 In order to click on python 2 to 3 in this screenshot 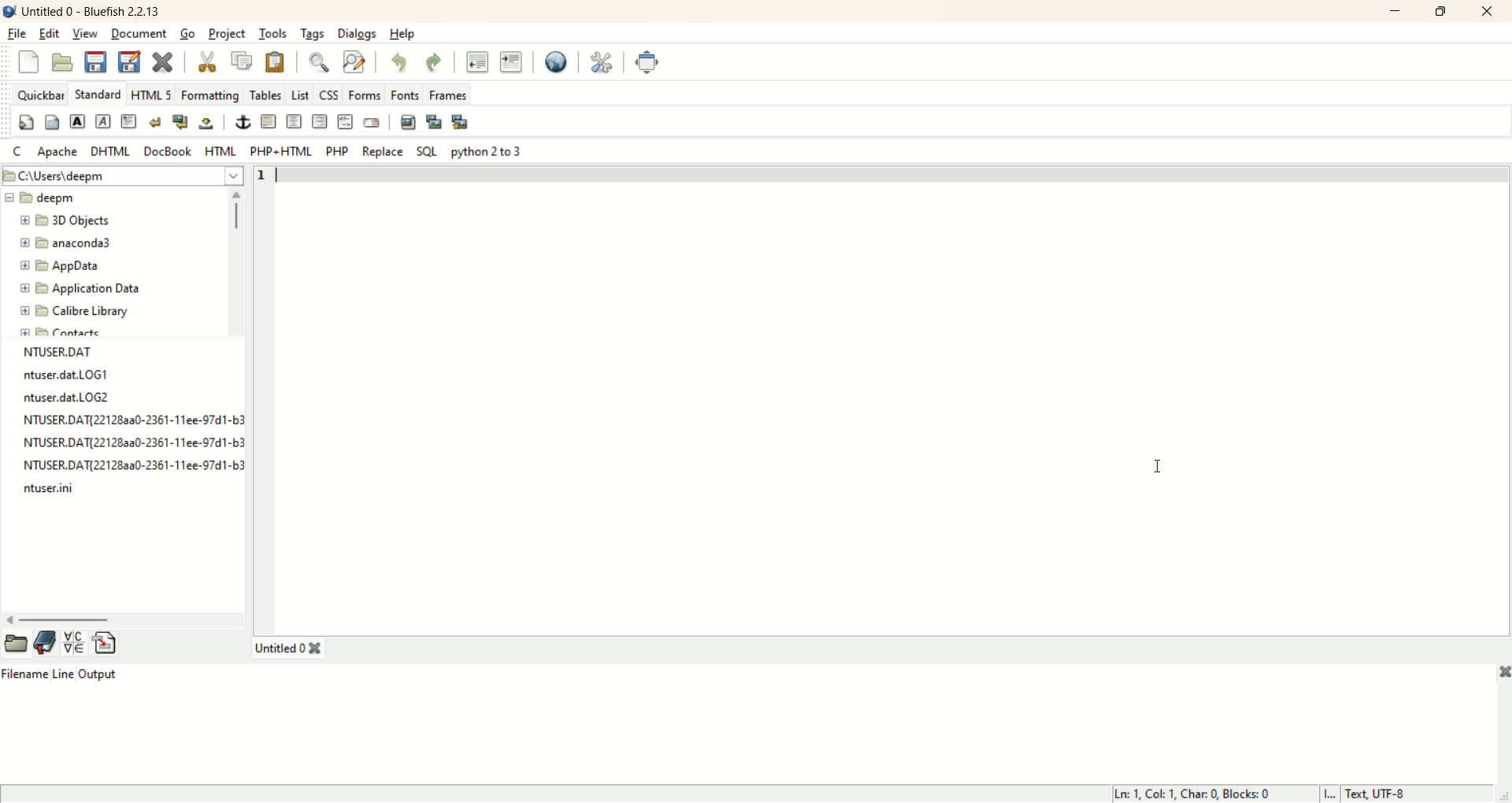, I will do `click(484, 153)`.